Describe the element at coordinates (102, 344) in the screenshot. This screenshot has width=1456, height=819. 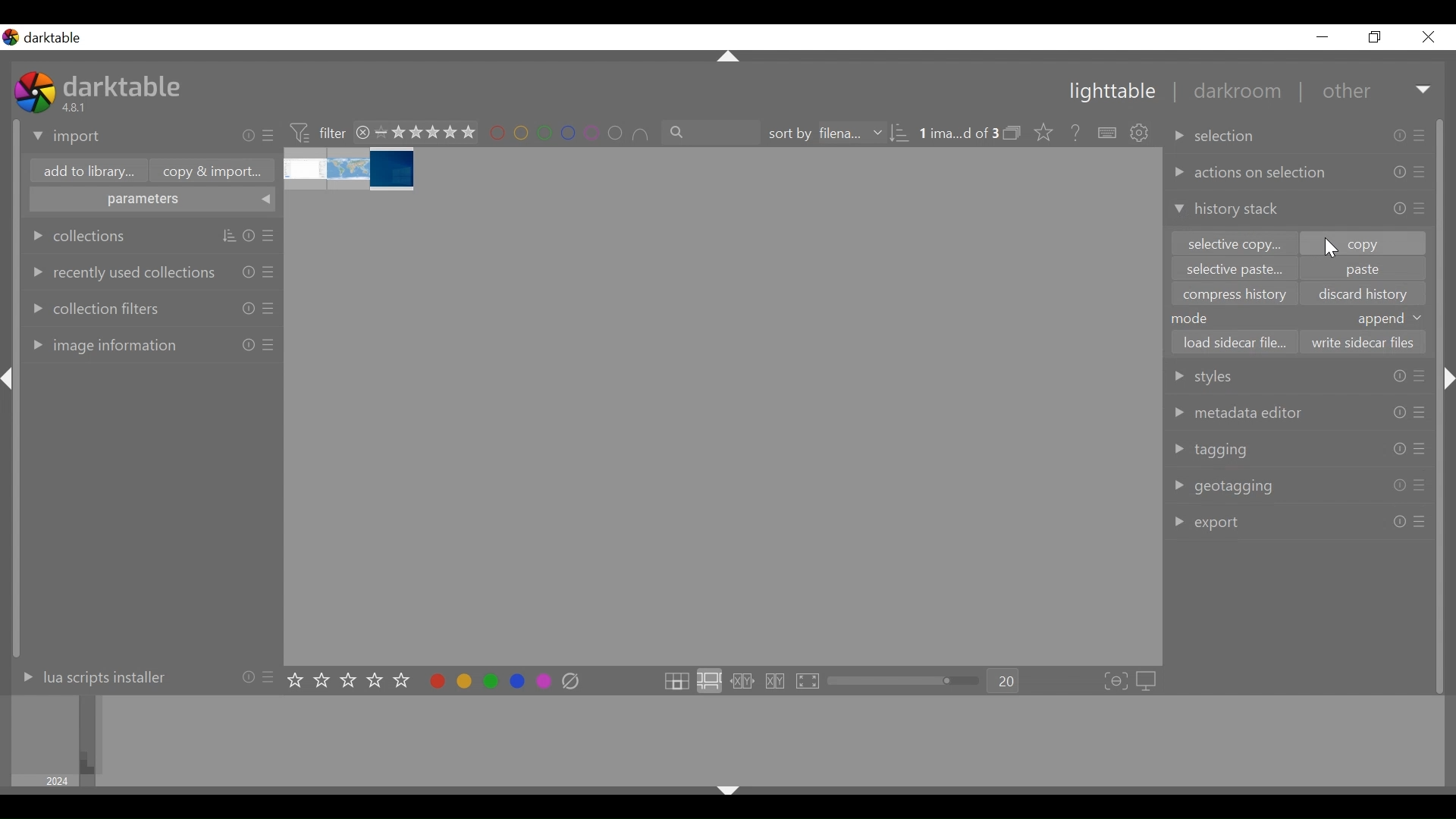
I see `image information` at that location.